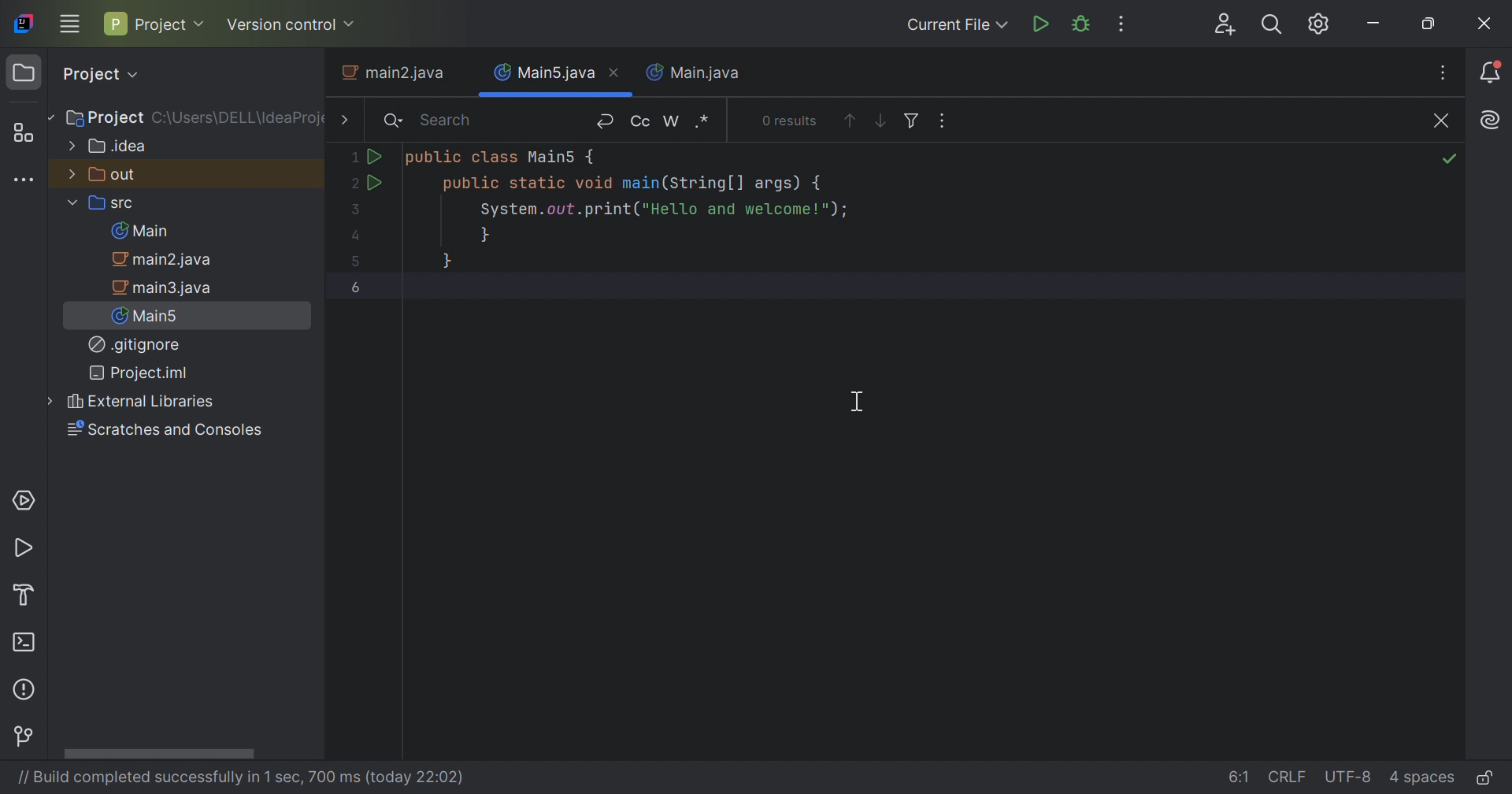 This screenshot has height=794, width=1512. What do you see at coordinates (239, 119) in the screenshot?
I see `C:\Users\DELL\IdeaProject` at bounding box center [239, 119].